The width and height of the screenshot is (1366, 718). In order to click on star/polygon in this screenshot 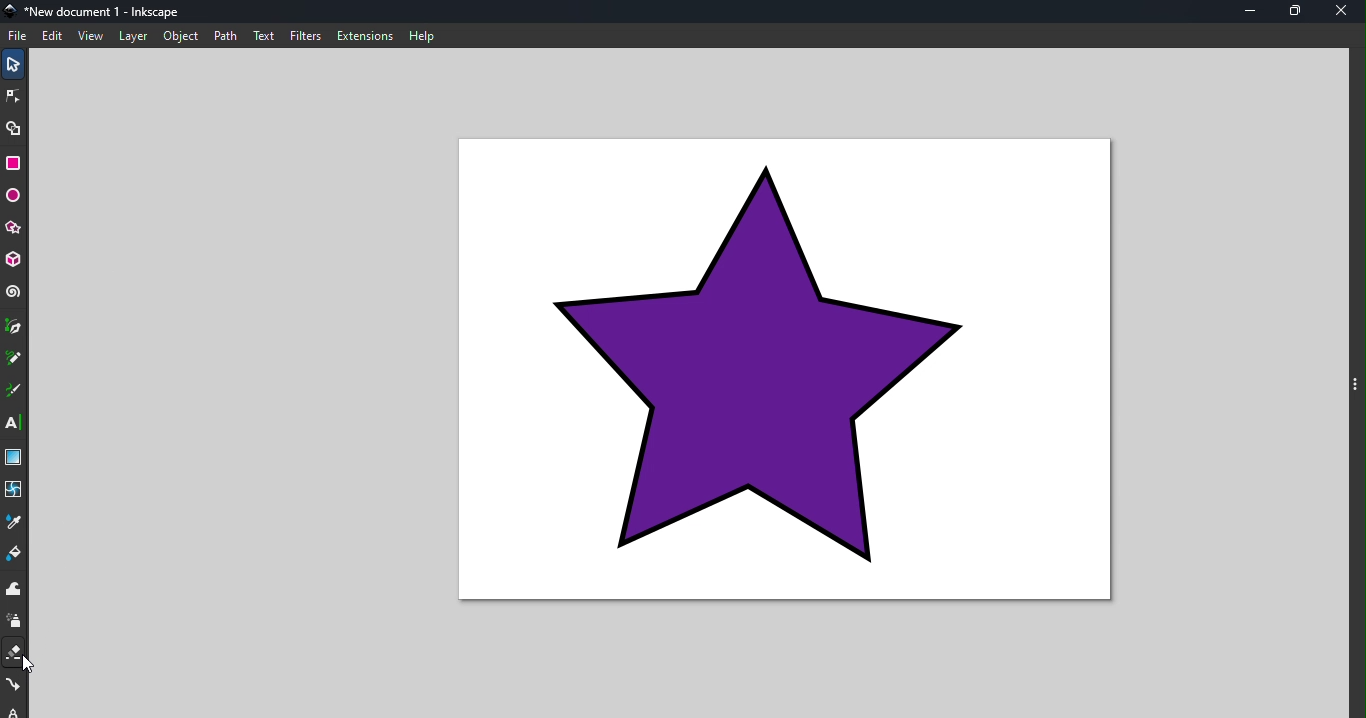, I will do `click(13, 228)`.